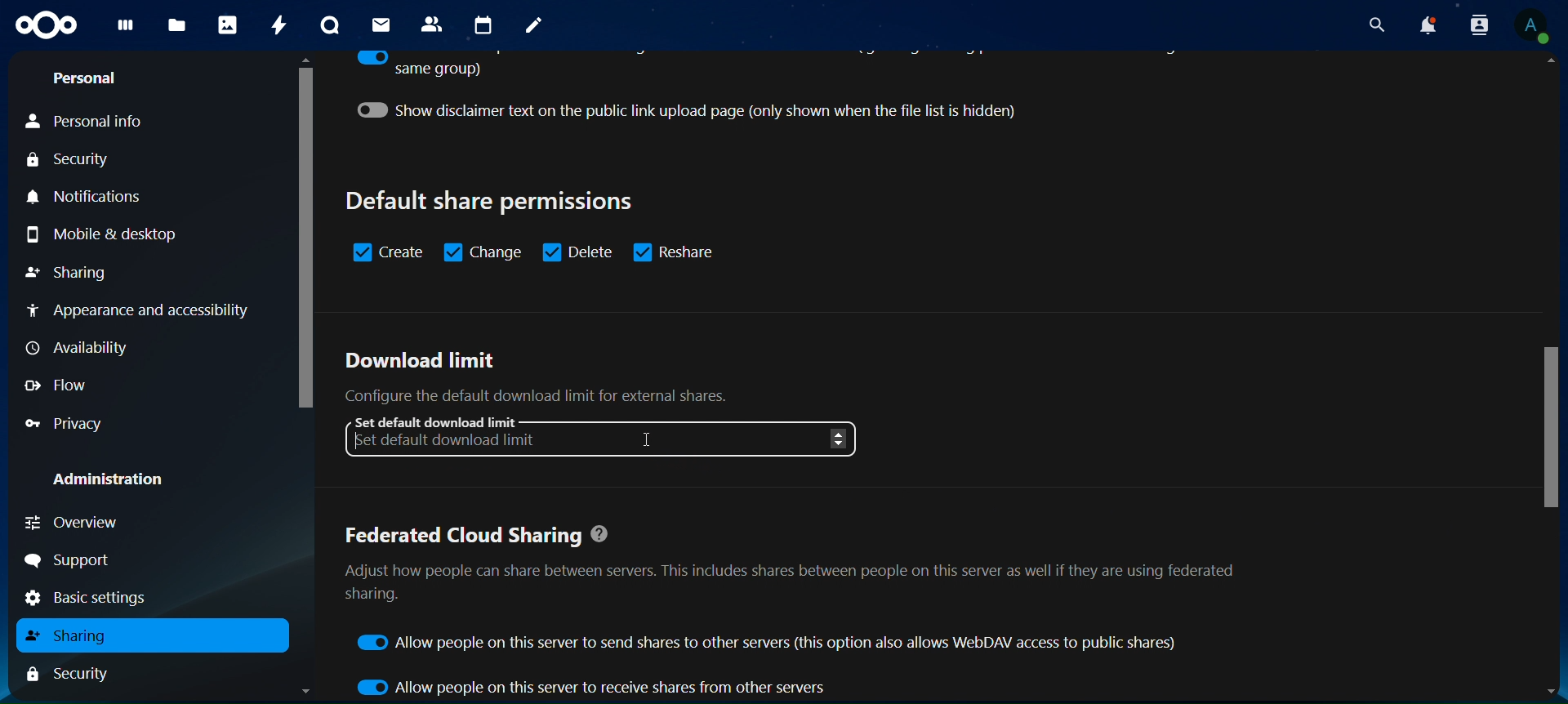 The width and height of the screenshot is (1568, 704). I want to click on appearance and accessibility, so click(140, 311).